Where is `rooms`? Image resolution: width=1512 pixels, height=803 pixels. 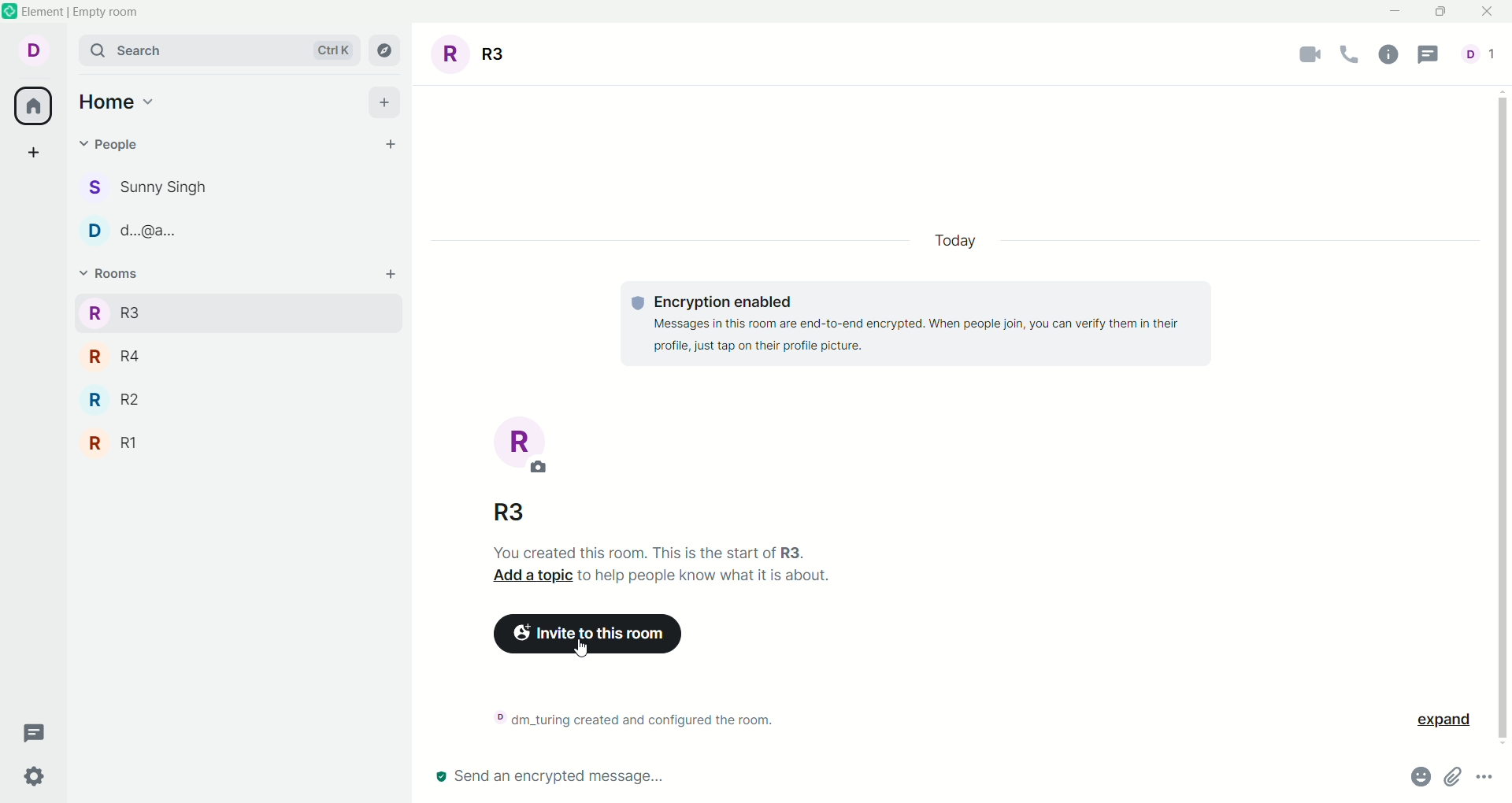
rooms is located at coordinates (115, 277).